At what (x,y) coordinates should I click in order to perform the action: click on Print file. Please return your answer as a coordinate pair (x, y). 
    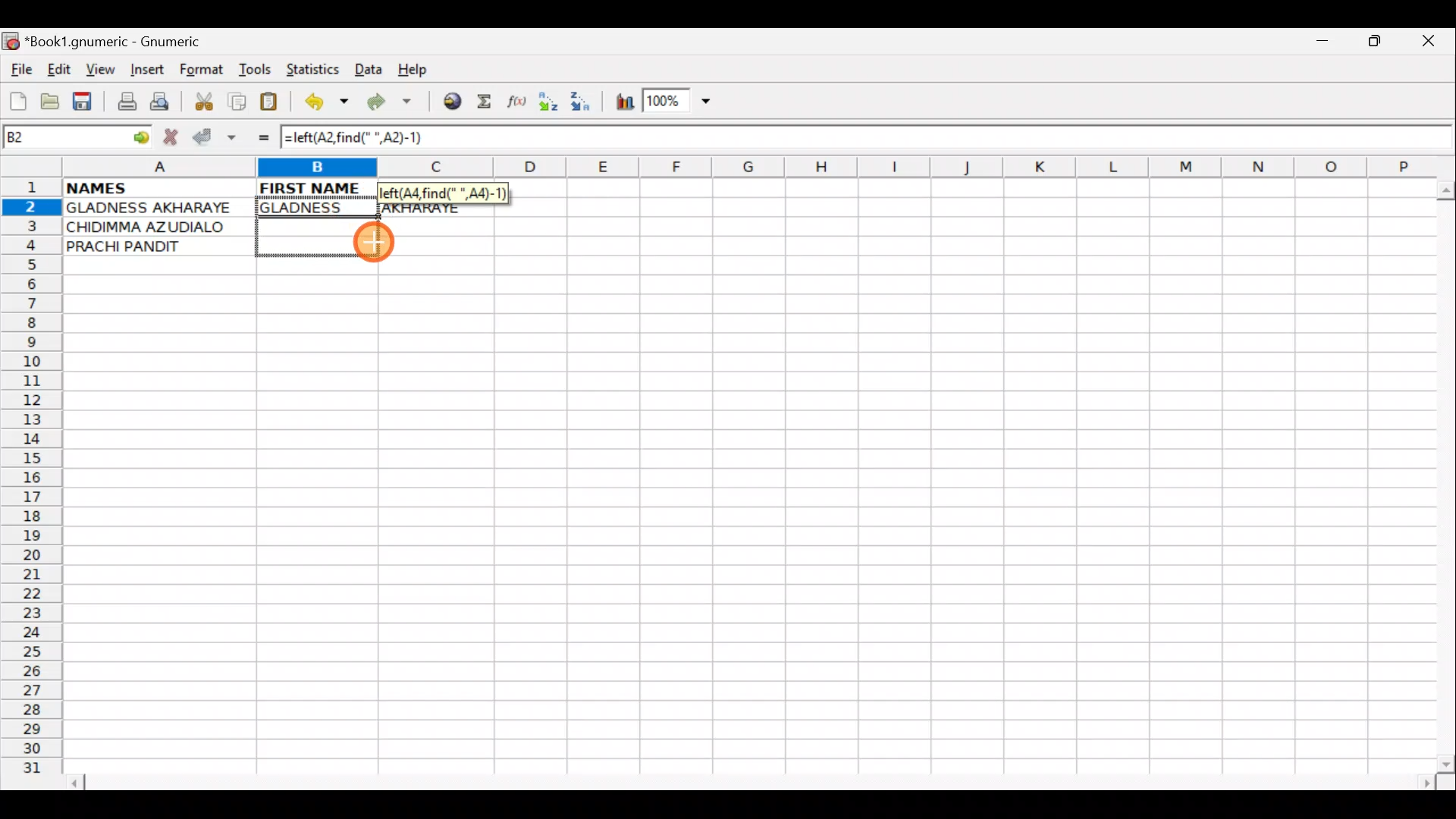
    Looking at the image, I should click on (123, 103).